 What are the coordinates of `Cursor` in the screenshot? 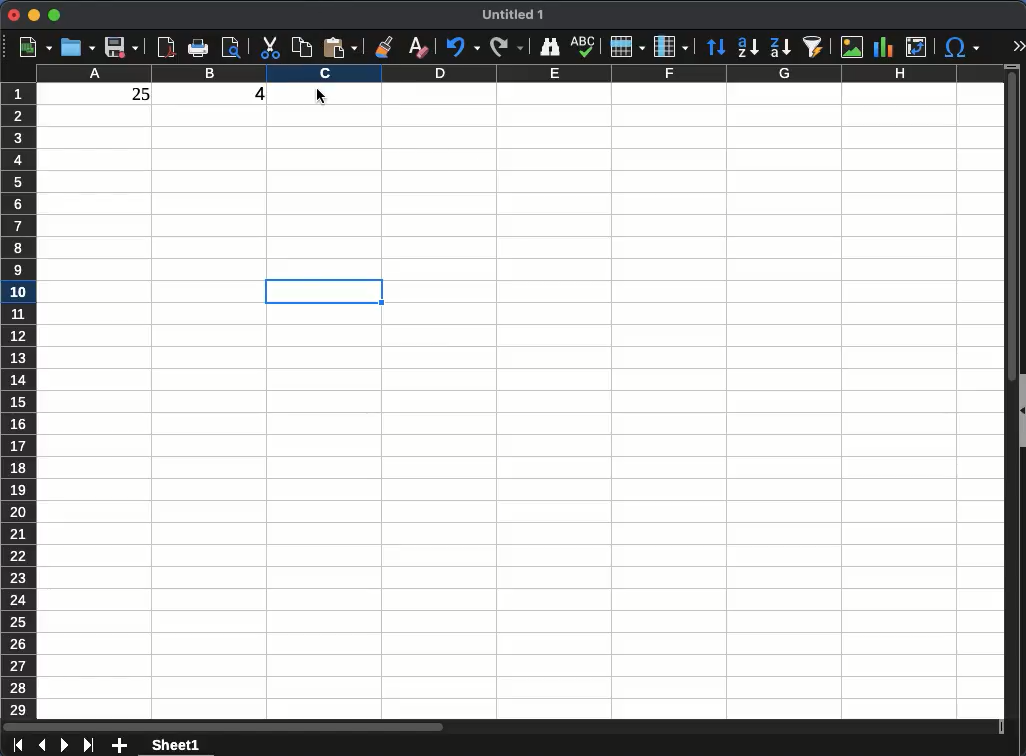 It's located at (327, 102).